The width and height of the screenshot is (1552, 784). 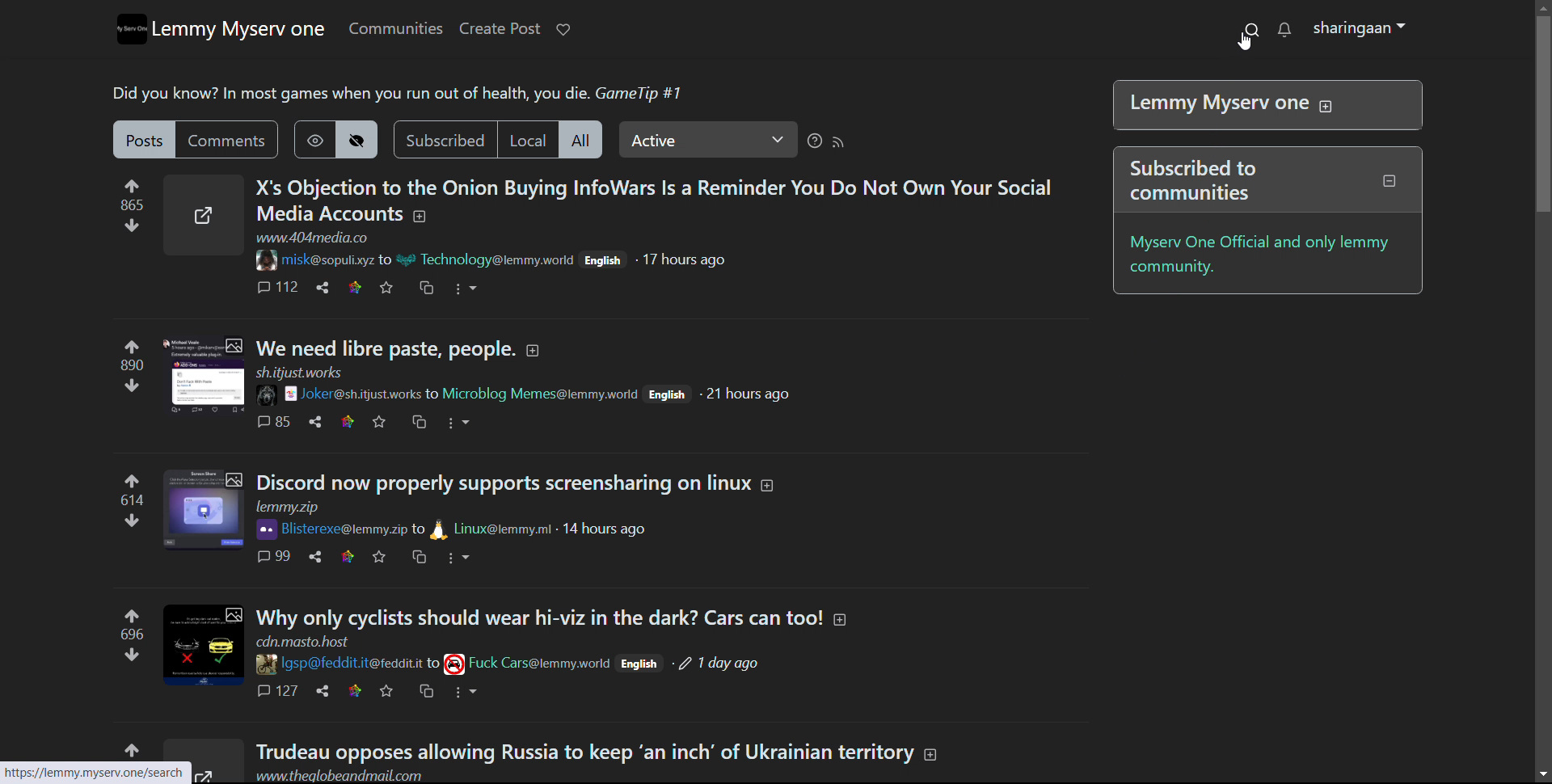 What do you see at coordinates (131, 205) in the screenshot?
I see `upvote and downvotes` at bounding box center [131, 205].